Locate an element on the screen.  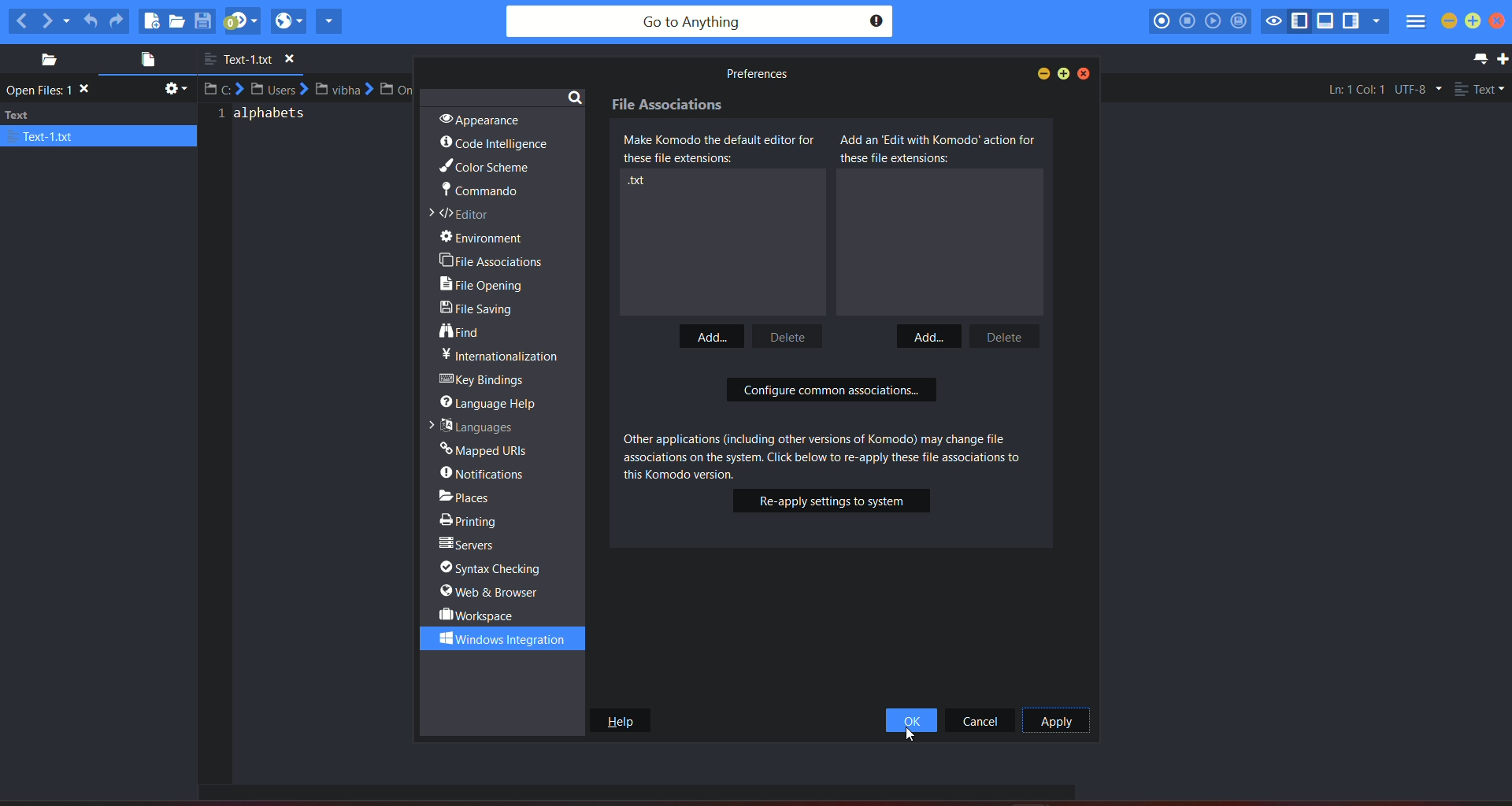
toggle focus mode is located at coordinates (1274, 20).